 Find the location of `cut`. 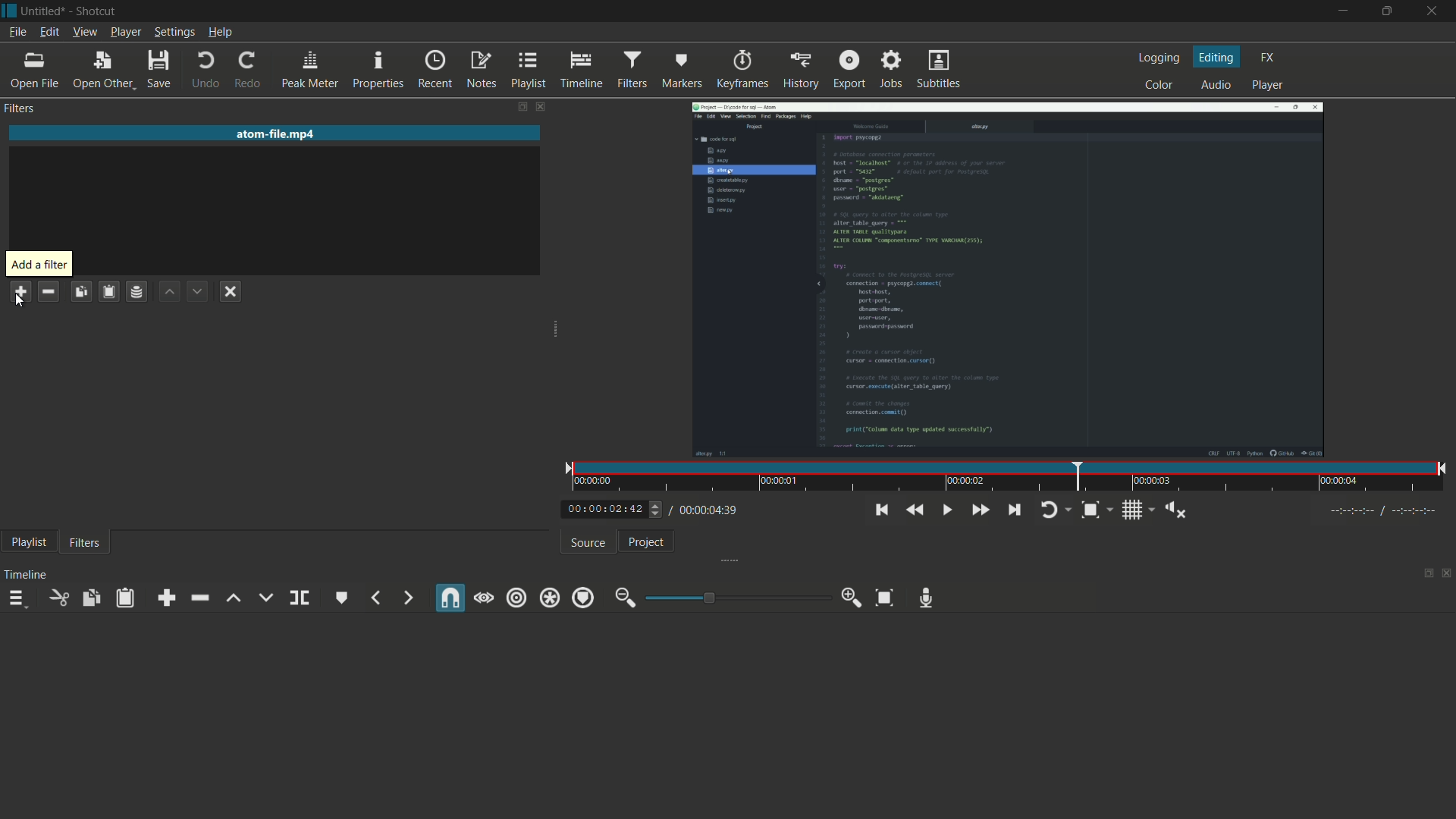

cut is located at coordinates (56, 598).